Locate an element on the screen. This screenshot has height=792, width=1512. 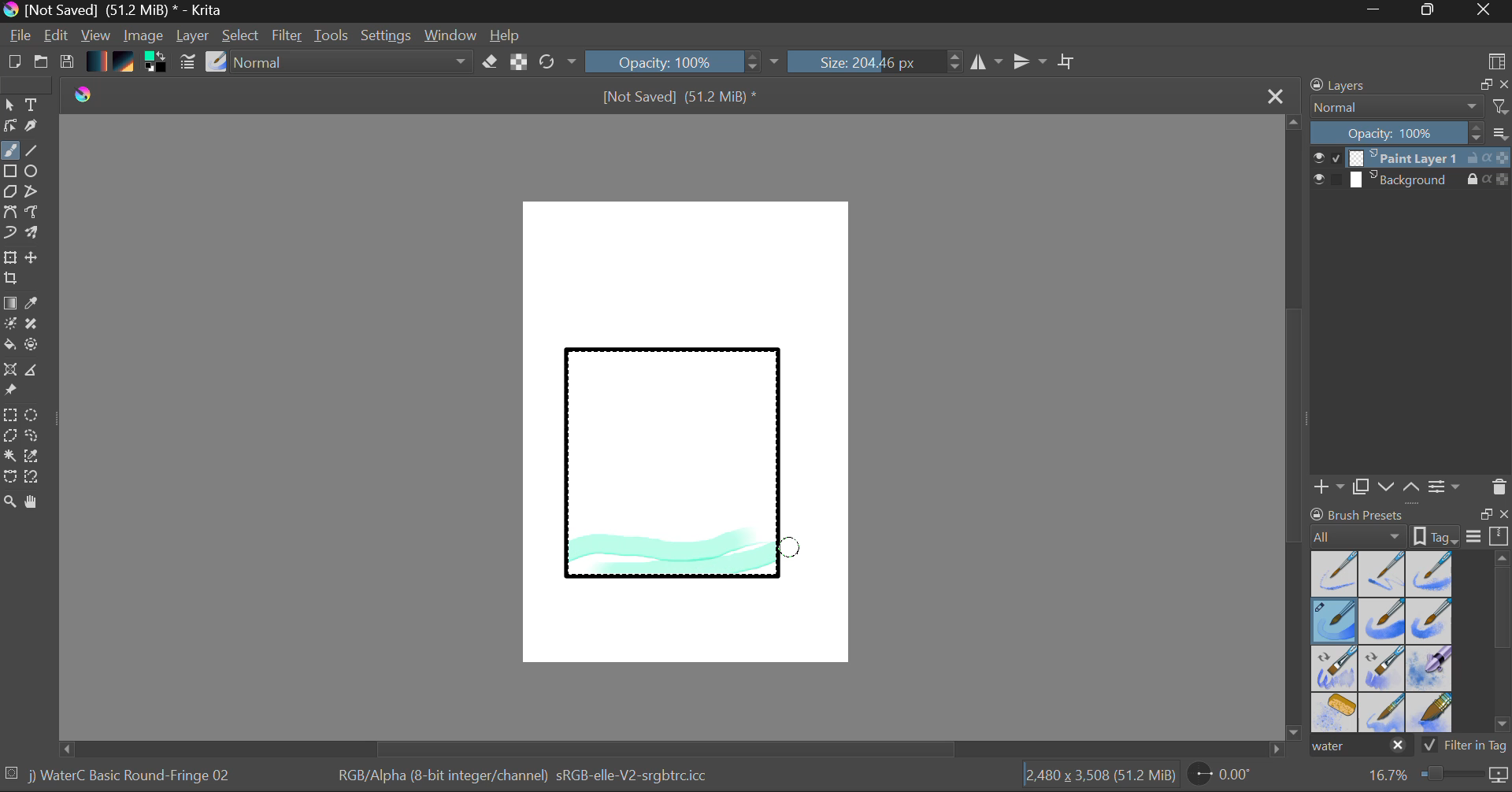
Move Layer Down is located at coordinates (1388, 487).